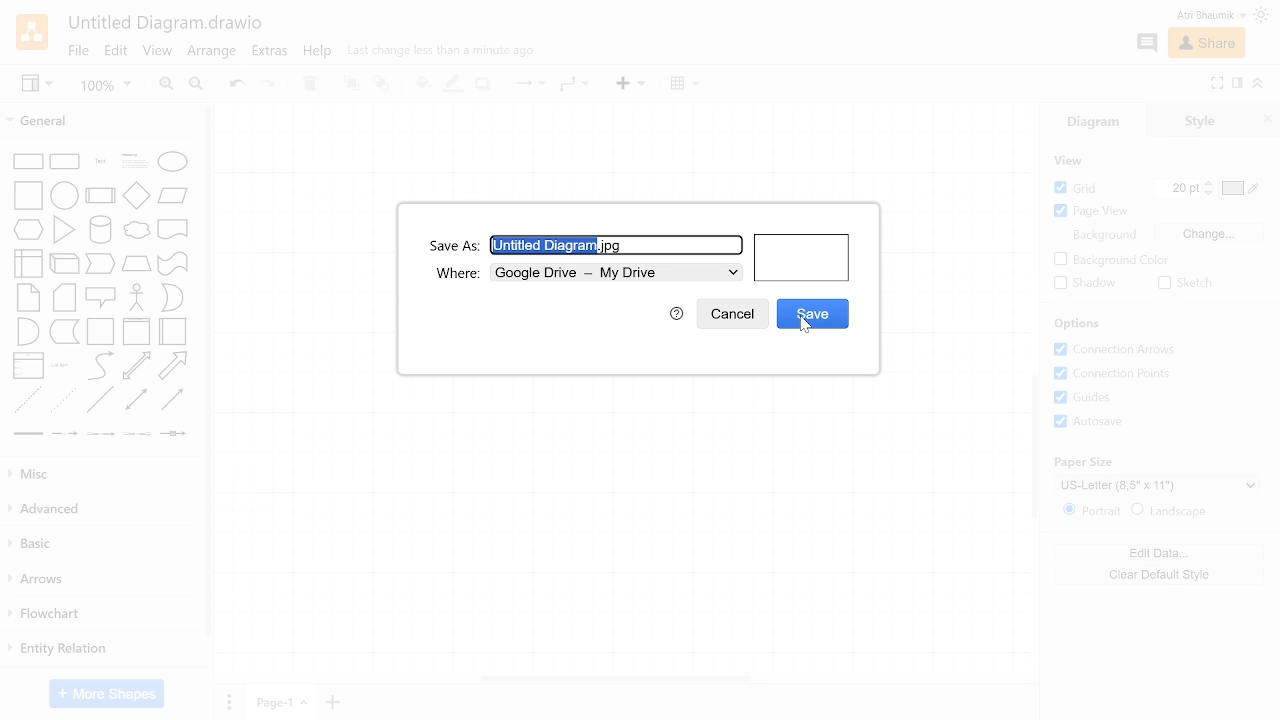 The image size is (1280, 720). Describe the element at coordinates (811, 313) in the screenshot. I see `Save` at that location.